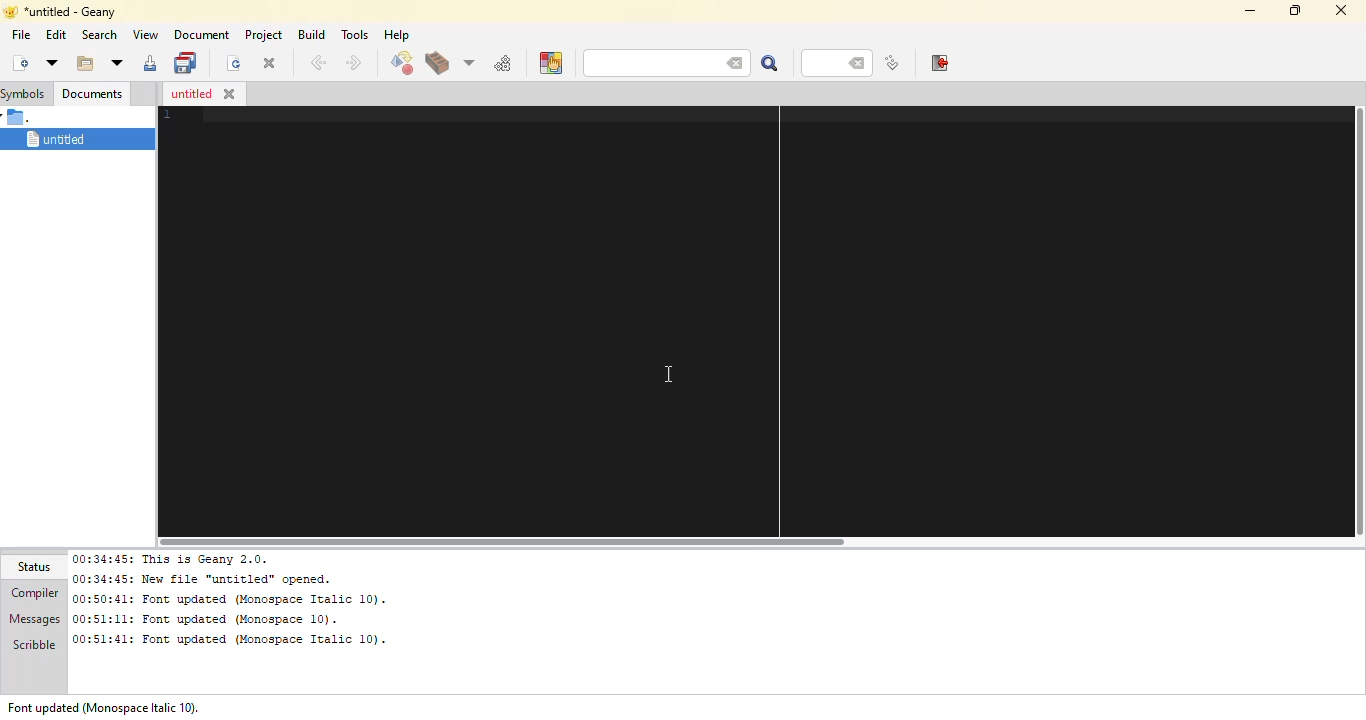  Describe the element at coordinates (1357, 324) in the screenshot. I see `vertical slide bar` at that location.